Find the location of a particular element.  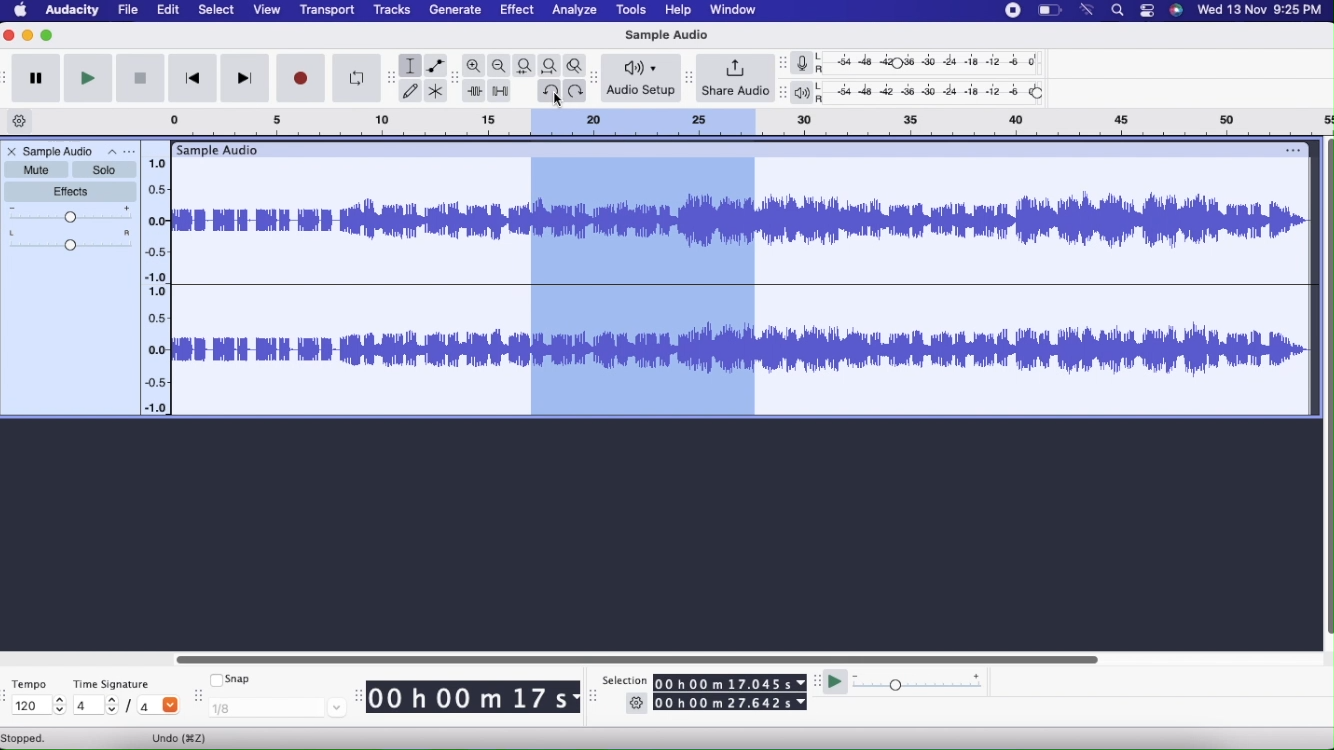

00 h 00 m 27.131 s is located at coordinates (732, 704).